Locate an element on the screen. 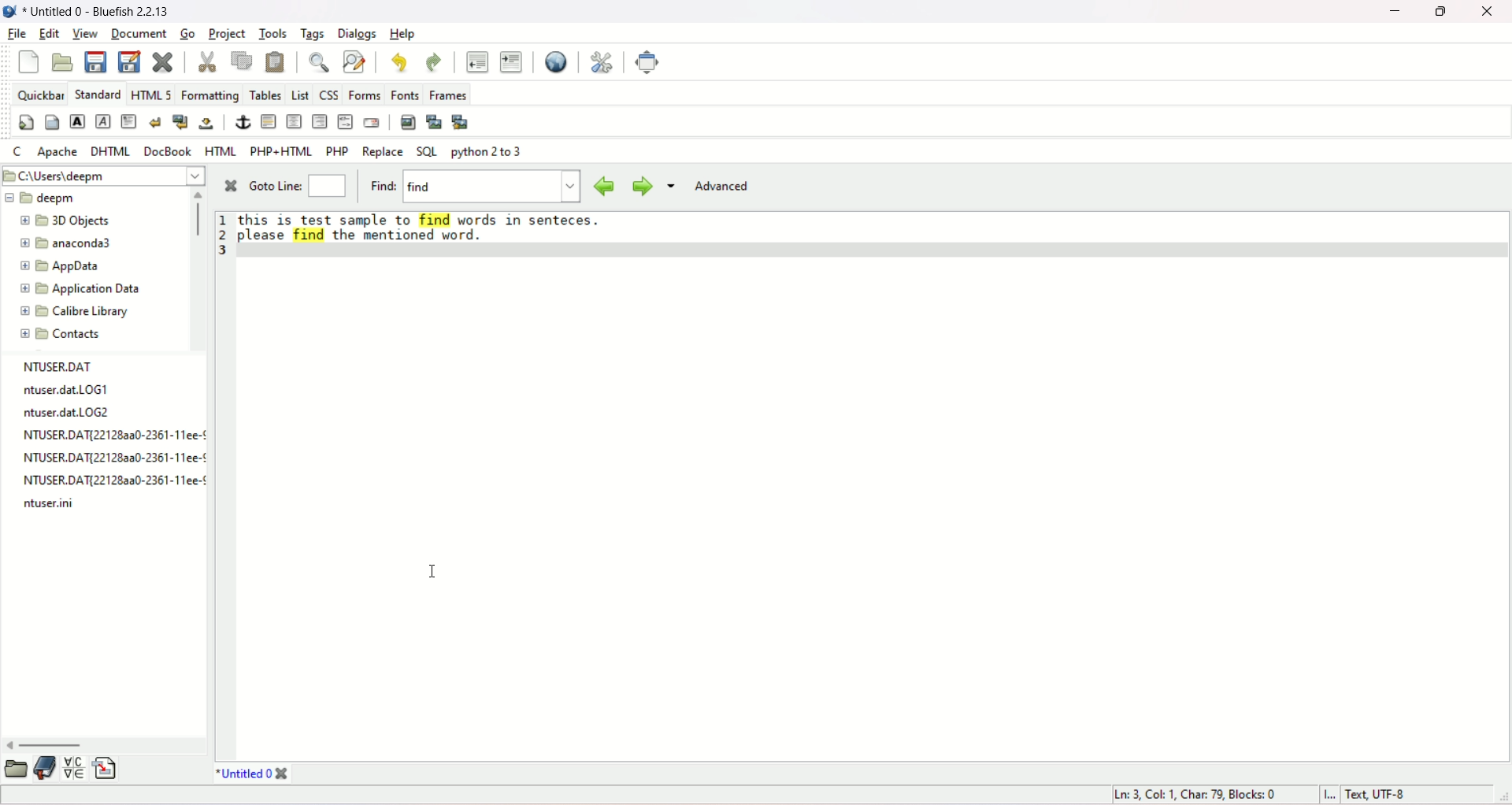  tags is located at coordinates (313, 33).